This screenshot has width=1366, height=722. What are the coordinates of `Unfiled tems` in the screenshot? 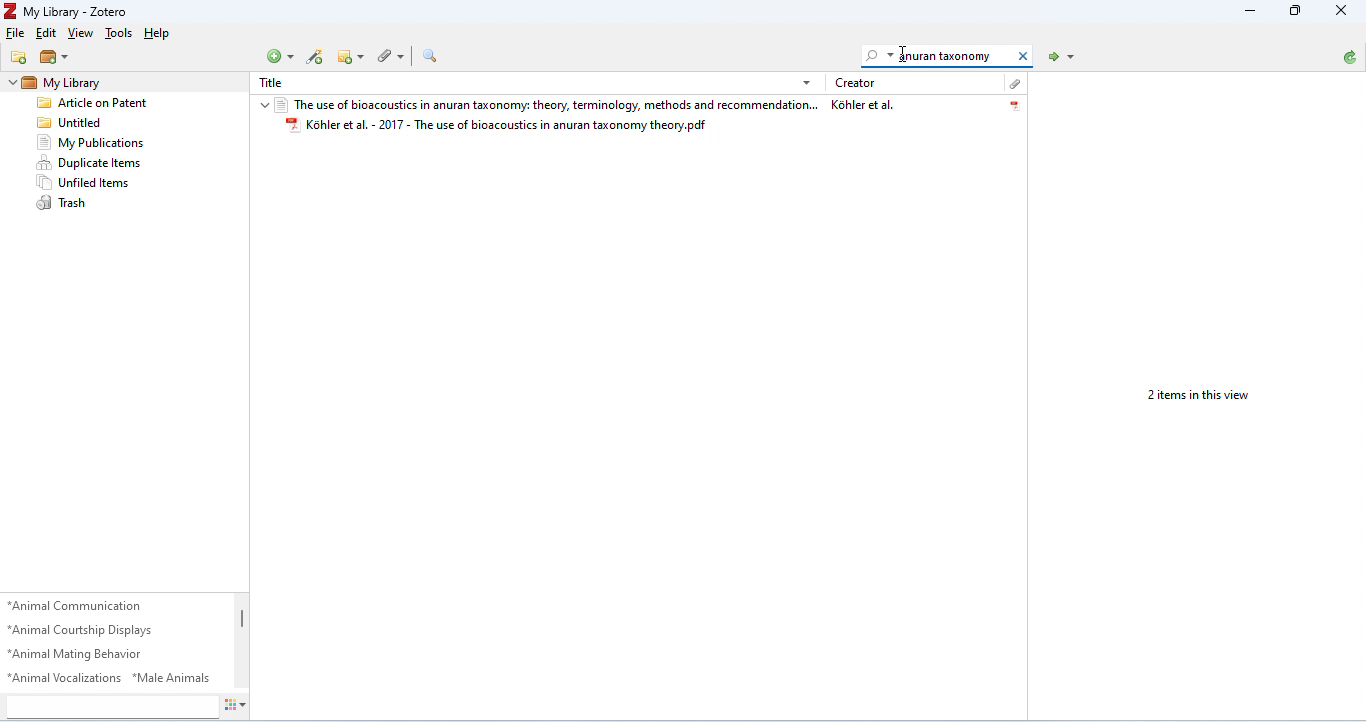 It's located at (106, 181).